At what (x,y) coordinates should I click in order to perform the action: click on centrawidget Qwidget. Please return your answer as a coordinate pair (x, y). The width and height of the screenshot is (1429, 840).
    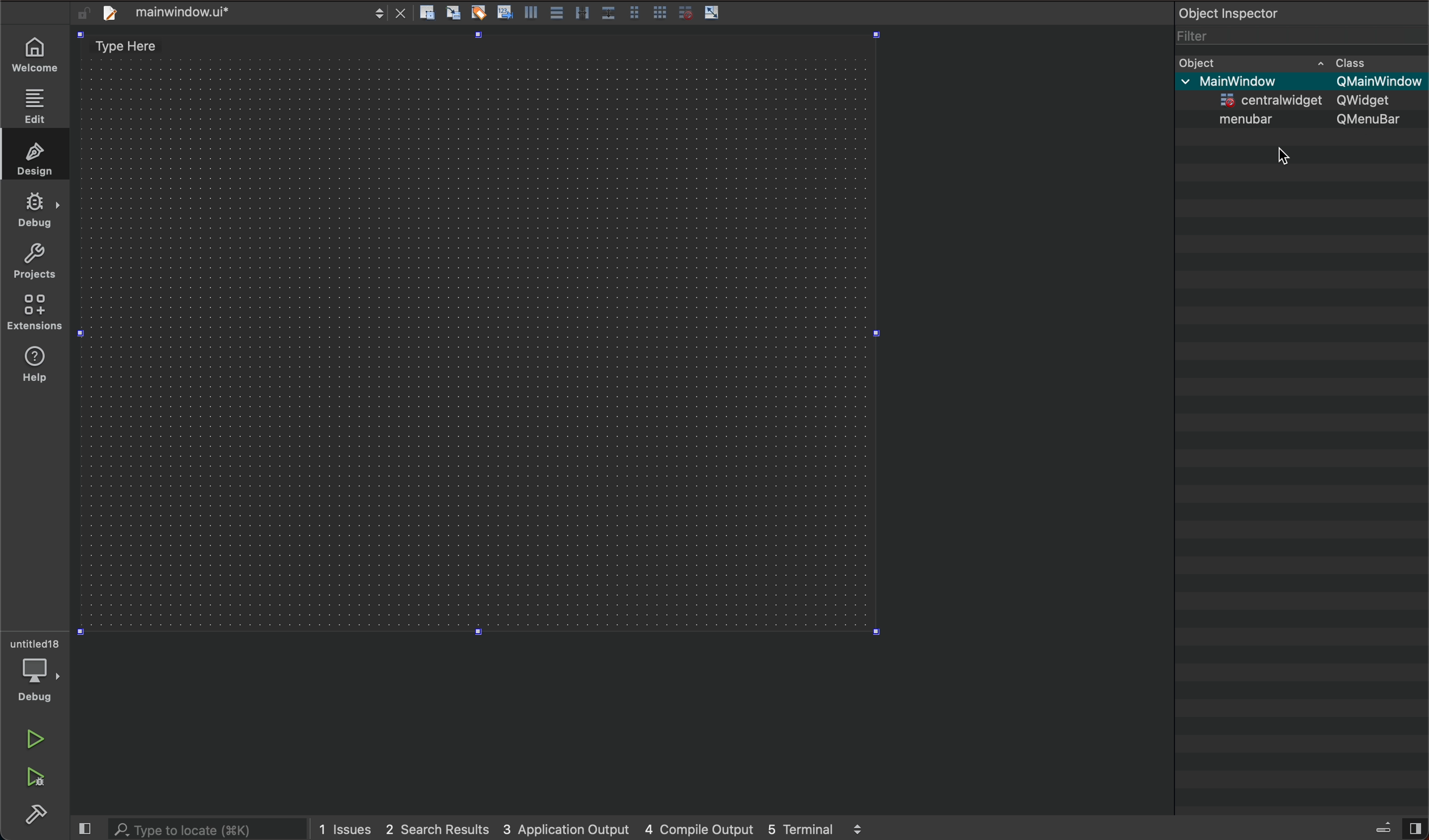
    Looking at the image, I should click on (1308, 102).